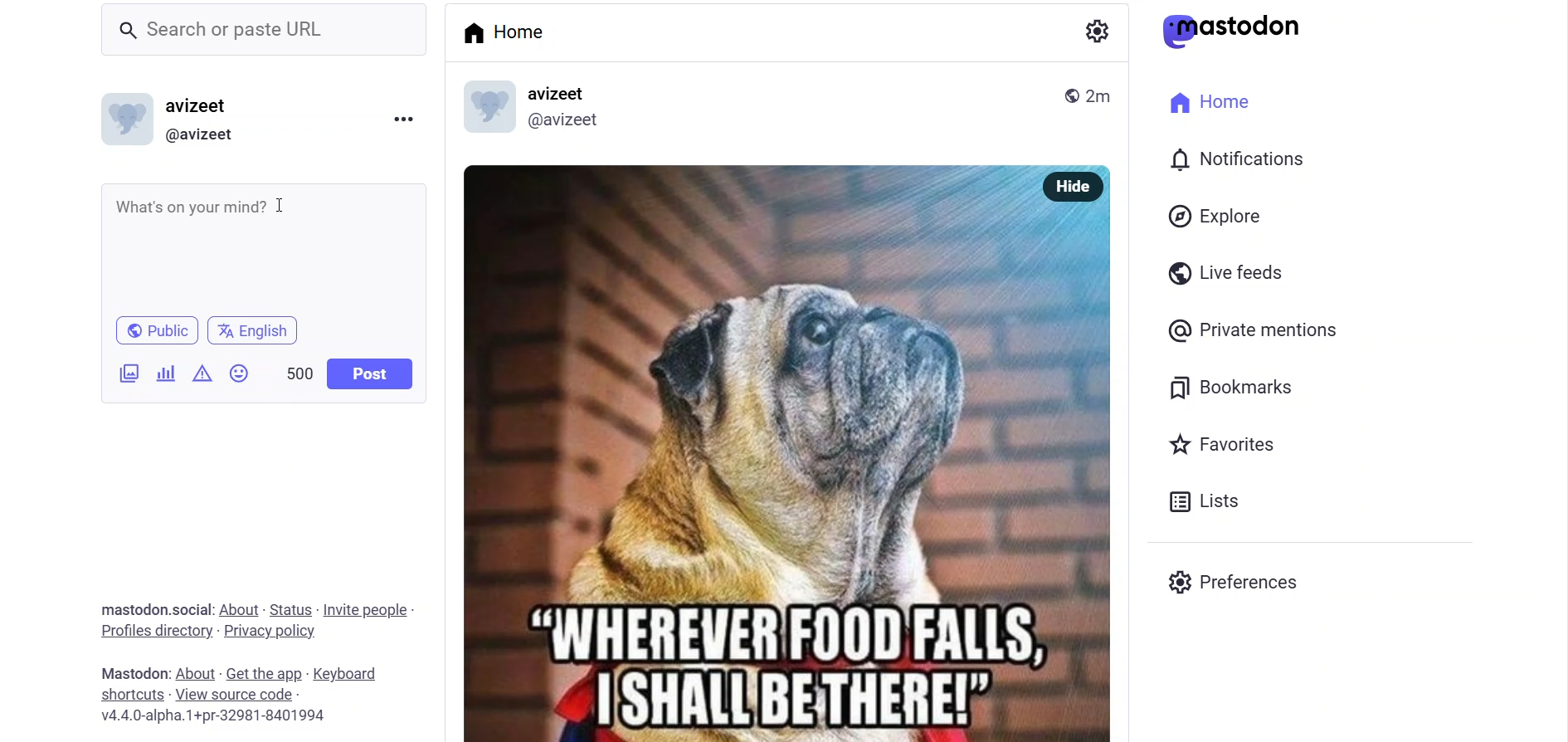 This screenshot has height=742, width=1568. Describe the element at coordinates (1214, 504) in the screenshot. I see `list` at that location.